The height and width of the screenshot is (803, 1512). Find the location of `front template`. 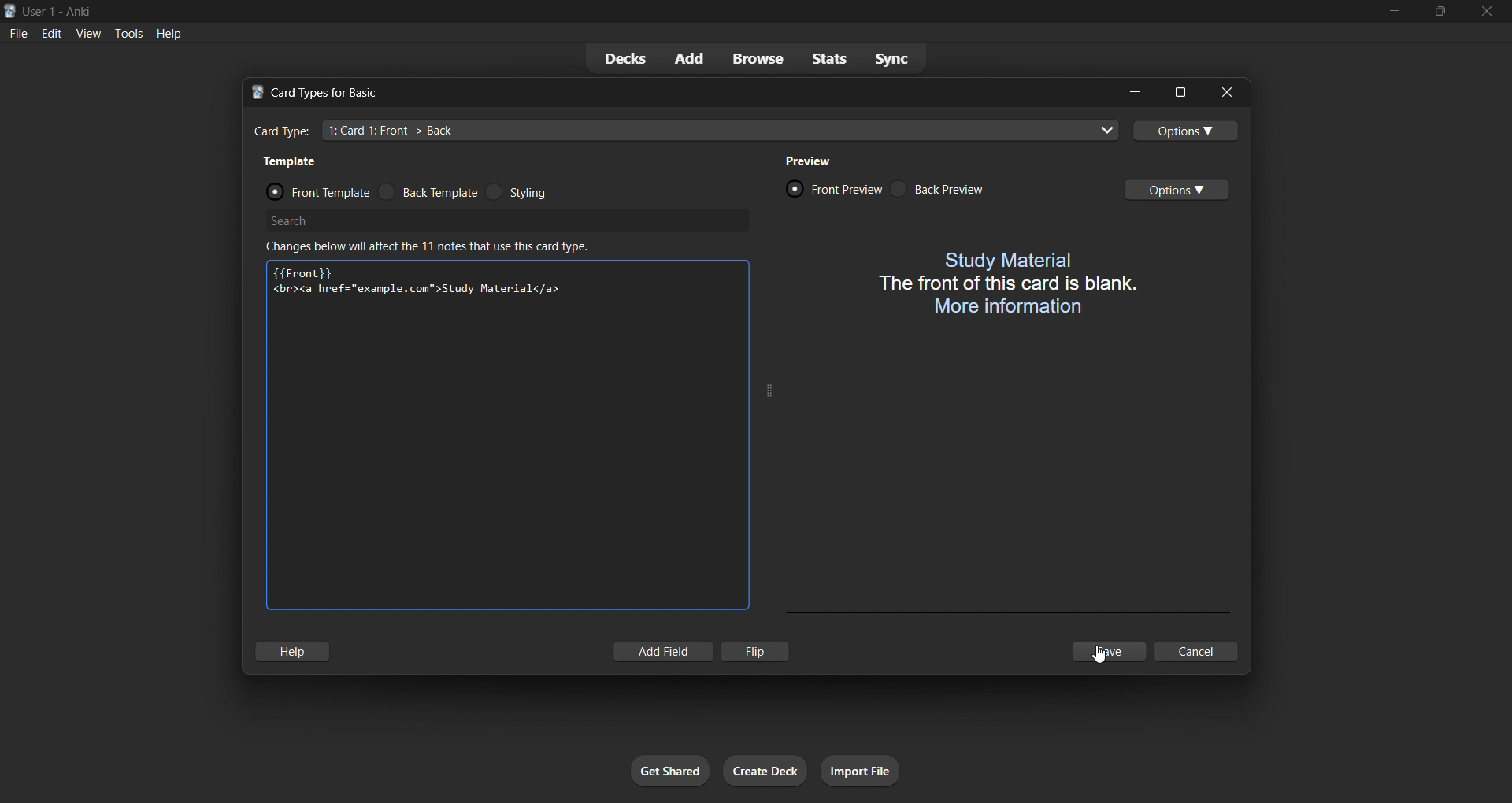

front template is located at coordinates (310, 187).